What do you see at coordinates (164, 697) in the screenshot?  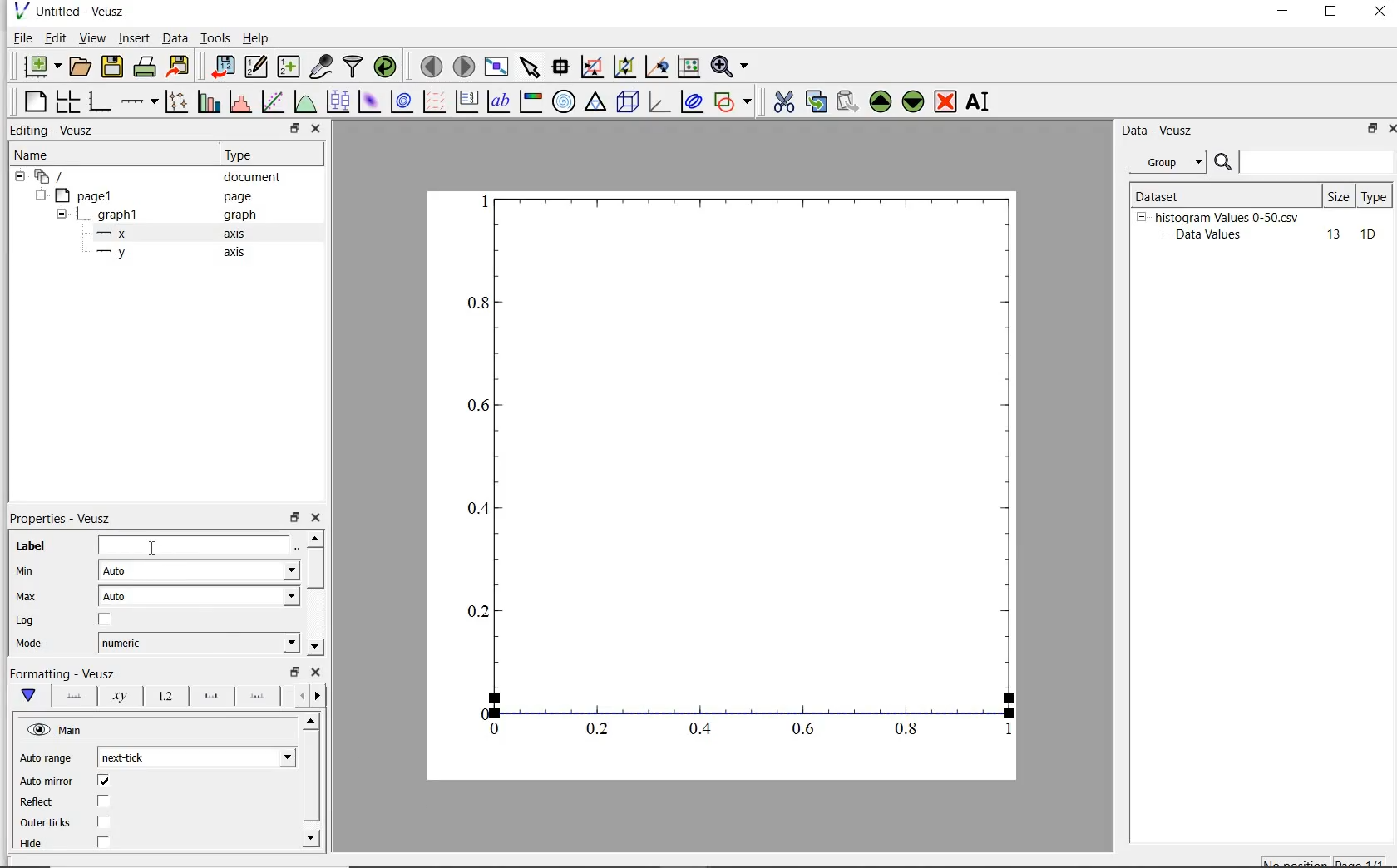 I see `tick label` at bounding box center [164, 697].